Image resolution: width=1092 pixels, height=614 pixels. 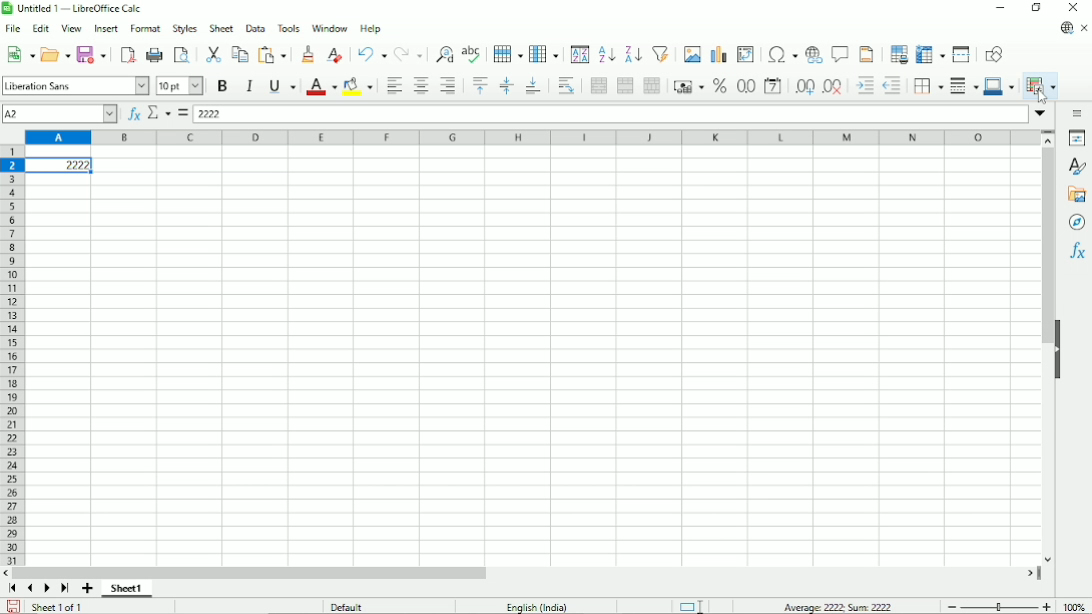 I want to click on Decrease indent, so click(x=892, y=86).